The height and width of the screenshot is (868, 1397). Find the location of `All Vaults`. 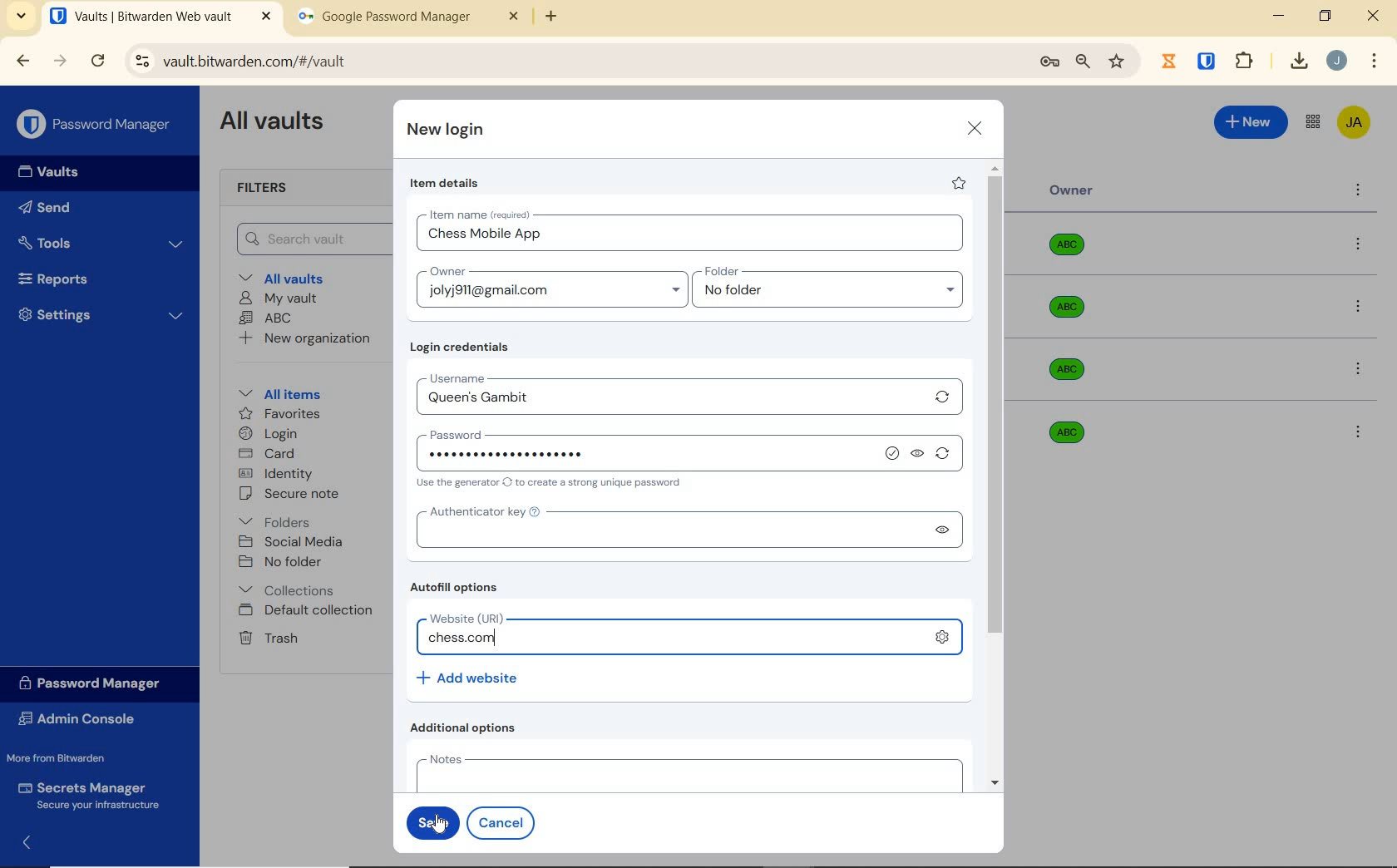

All Vaults is located at coordinates (276, 123).